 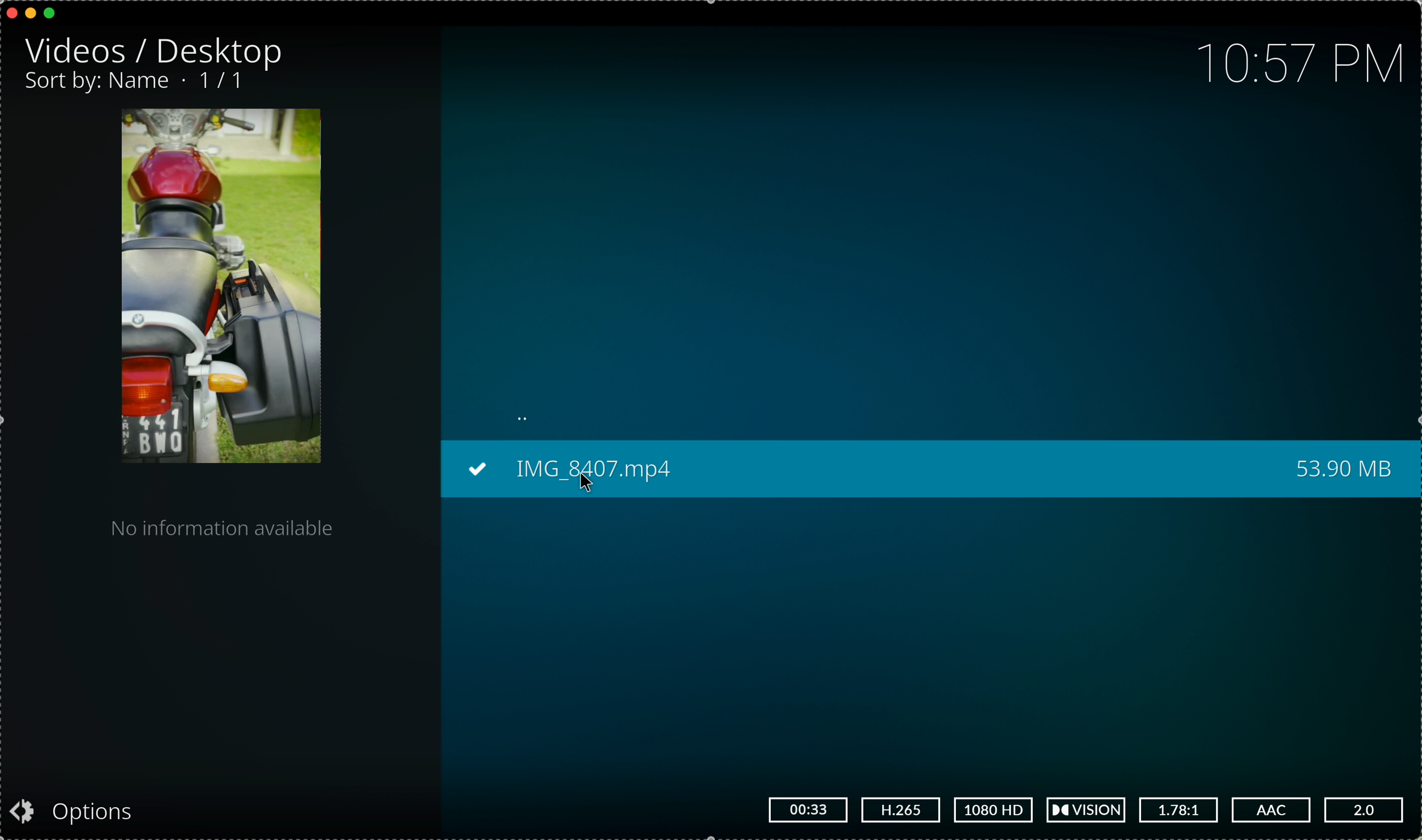 I want to click on .., so click(x=523, y=418).